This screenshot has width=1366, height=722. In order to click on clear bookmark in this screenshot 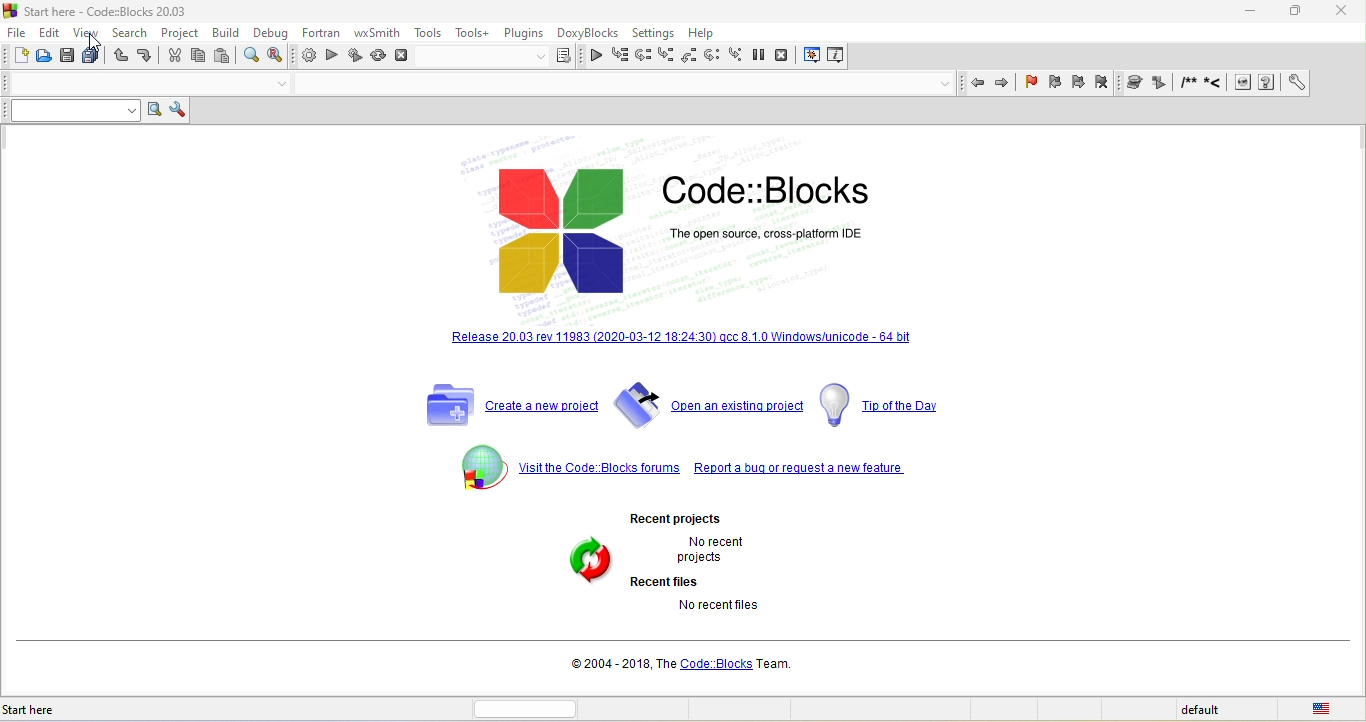, I will do `click(1107, 83)`.